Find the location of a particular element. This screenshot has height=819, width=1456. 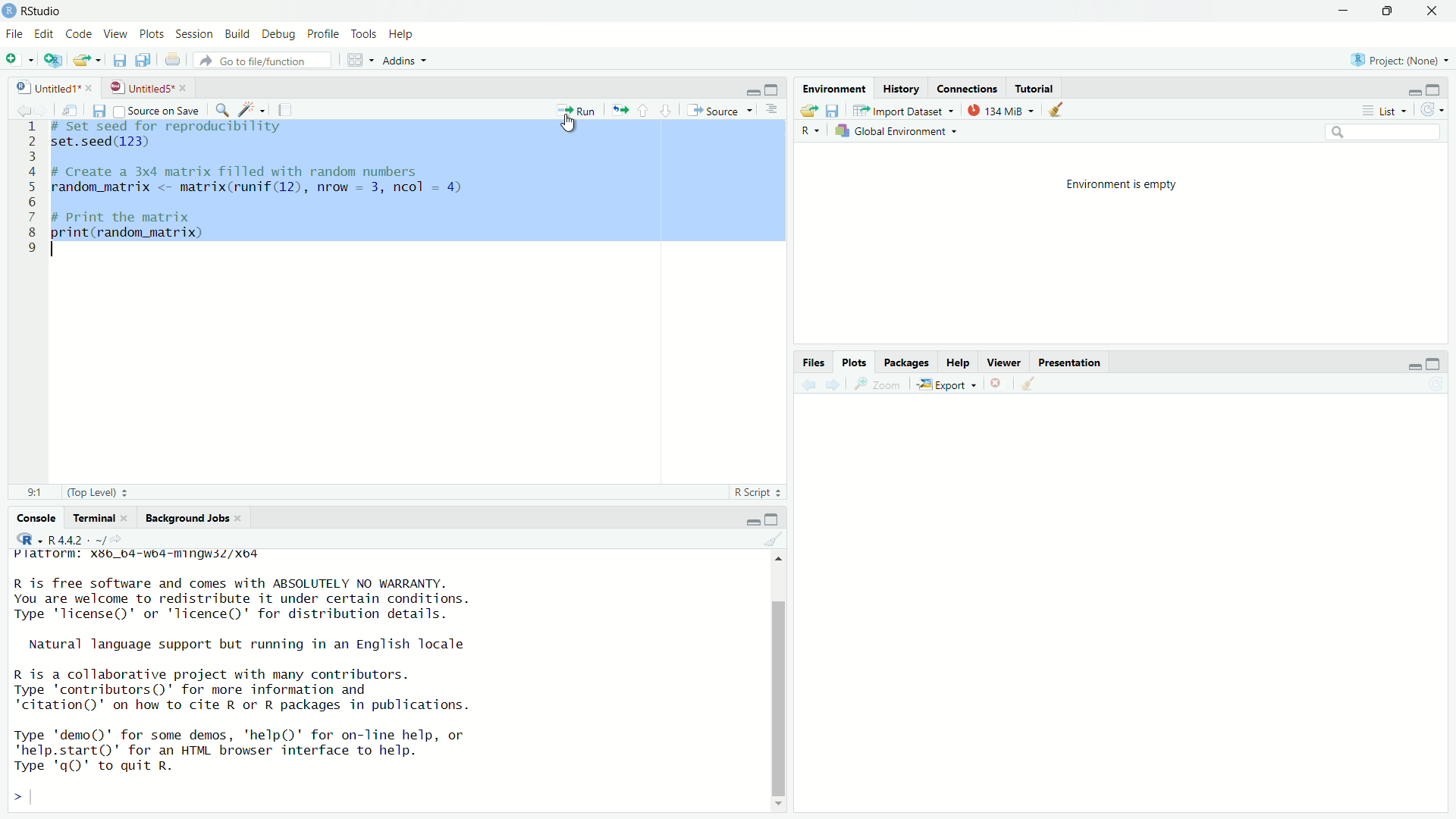

Console is located at coordinates (36, 516).